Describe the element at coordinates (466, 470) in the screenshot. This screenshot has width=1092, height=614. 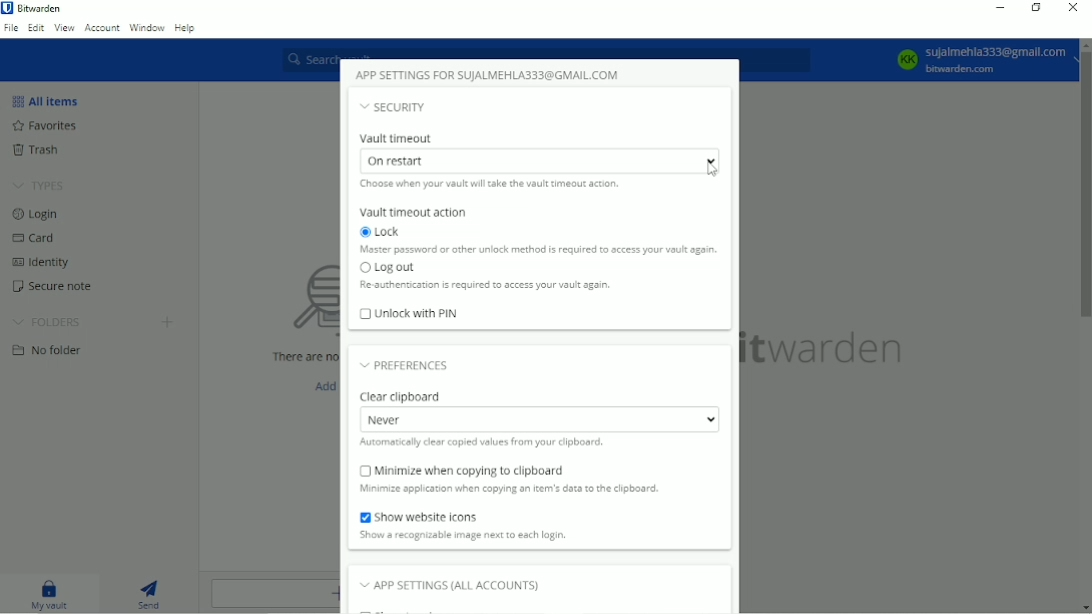
I see `Minimize when copying to clipboard` at that location.